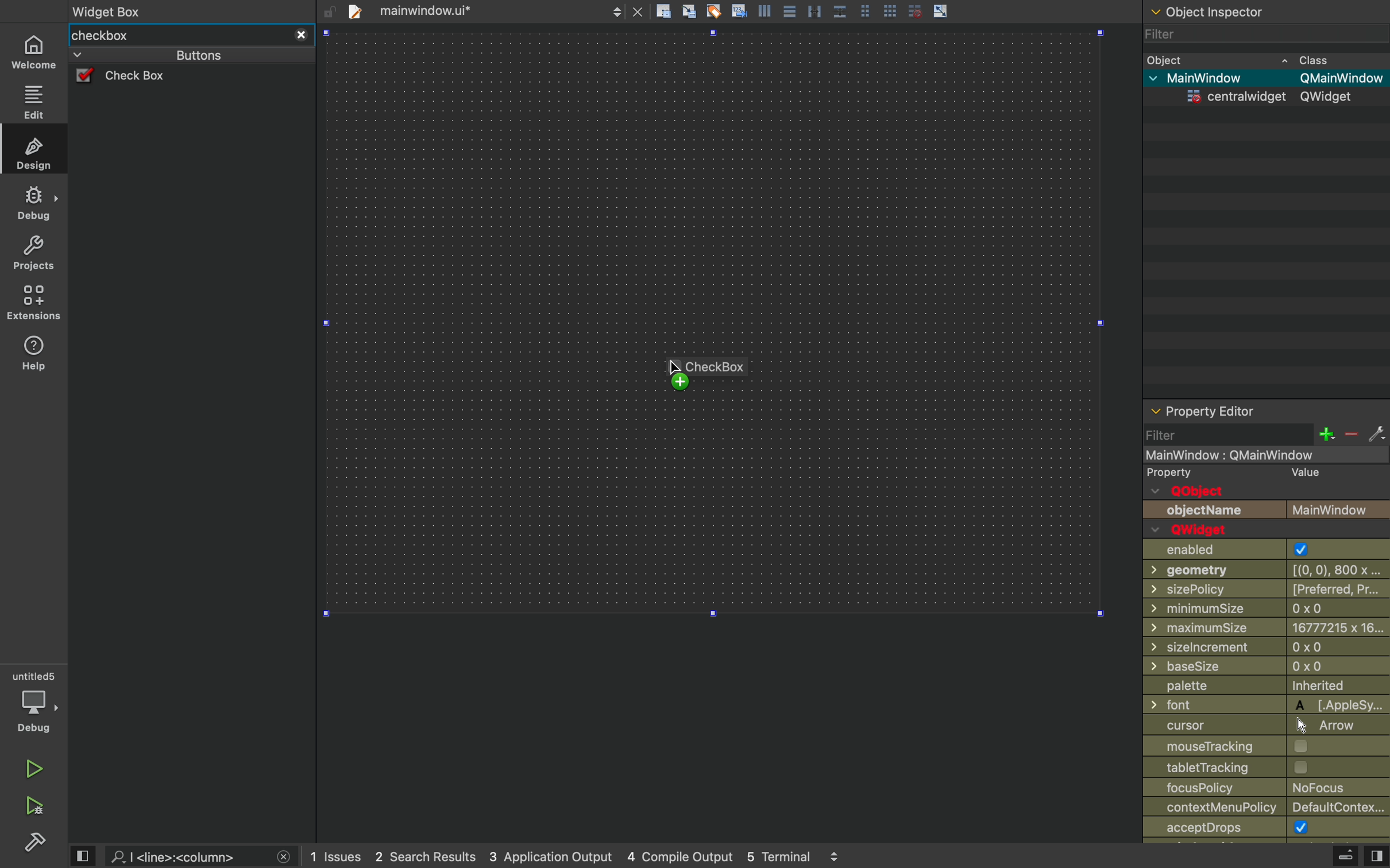 The height and width of the screenshot is (868, 1390). Describe the element at coordinates (718, 366) in the screenshot. I see `CheckBox` at that location.